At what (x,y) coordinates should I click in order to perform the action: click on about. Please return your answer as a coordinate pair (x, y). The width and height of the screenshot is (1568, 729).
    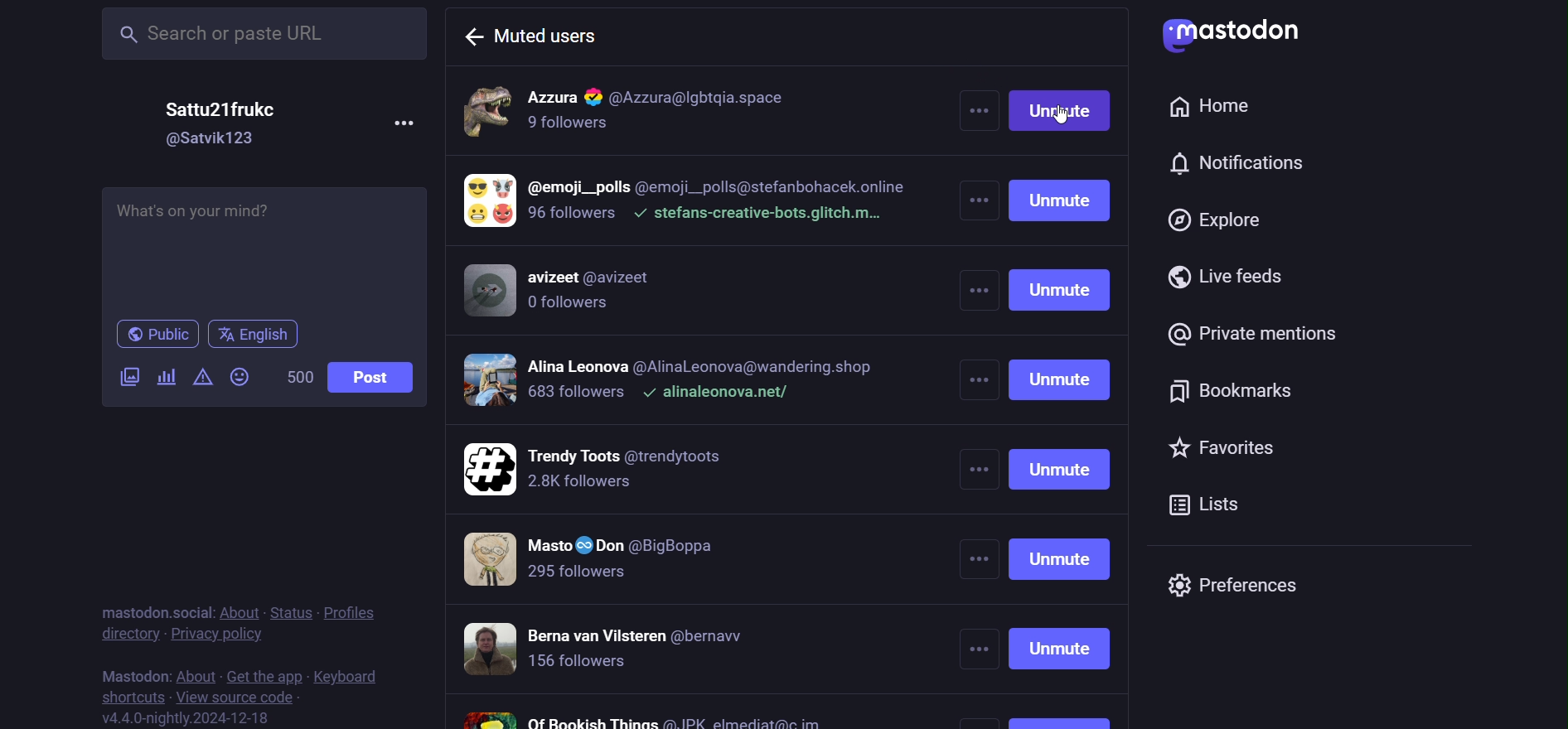
    Looking at the image, I should click on (195, 673).